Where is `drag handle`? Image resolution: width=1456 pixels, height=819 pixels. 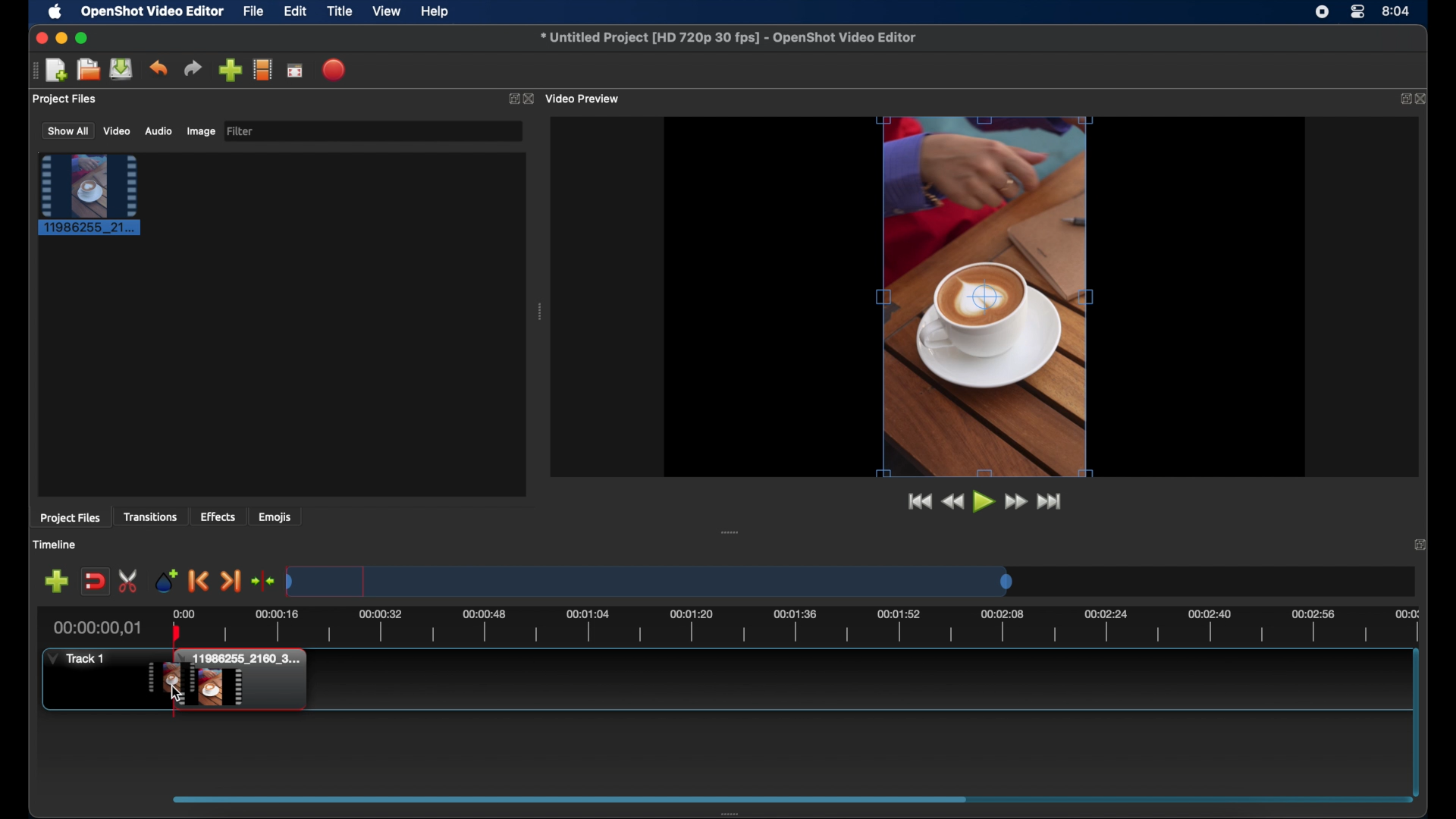
drag handle is located at coordinates (739, 811).